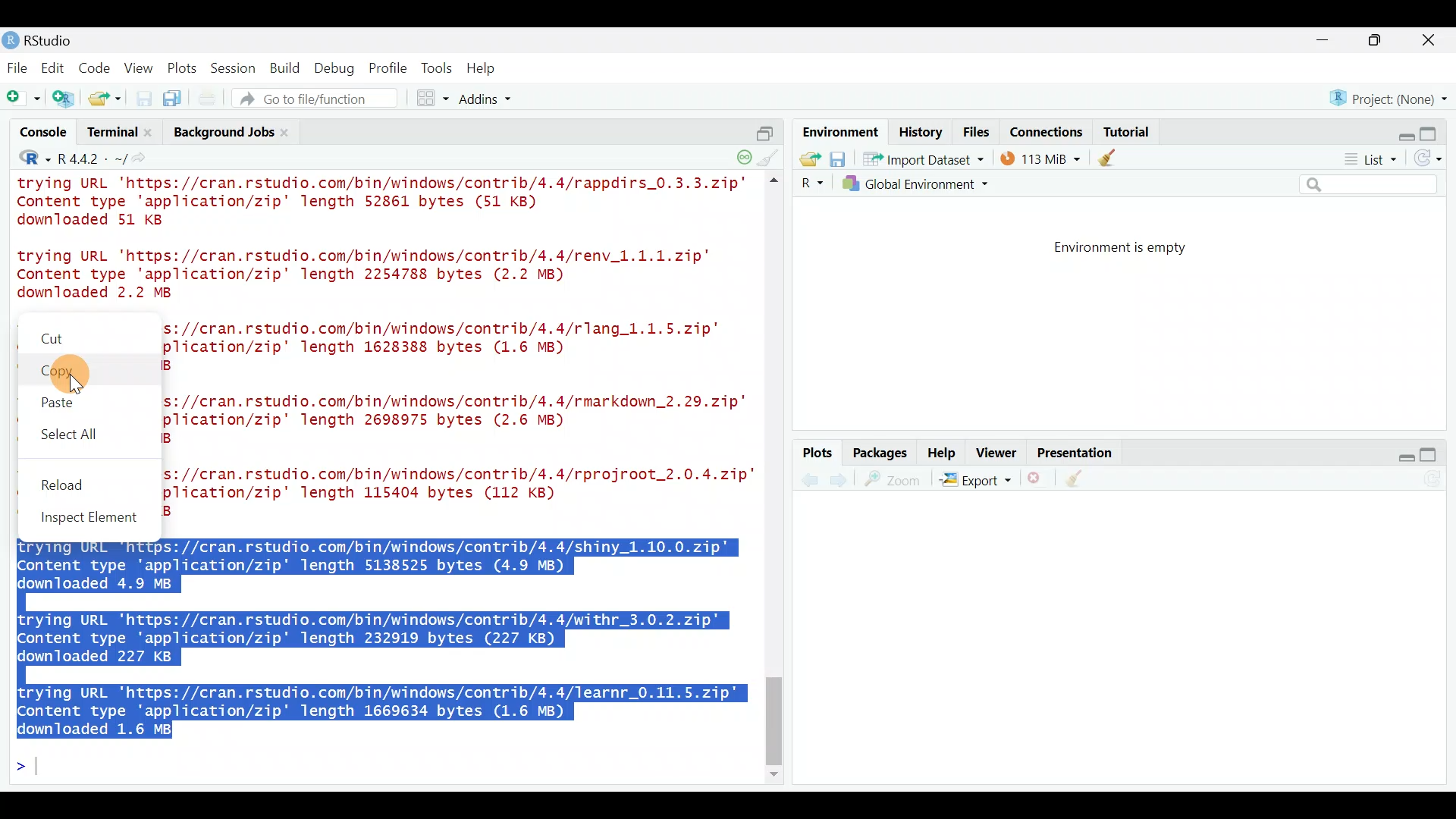 Image resolution: width=1456 pixels, height=819 pixels. Describe the element at coordinates (1037, 482) in the screenshot. I see `remove the current plot` at that location.